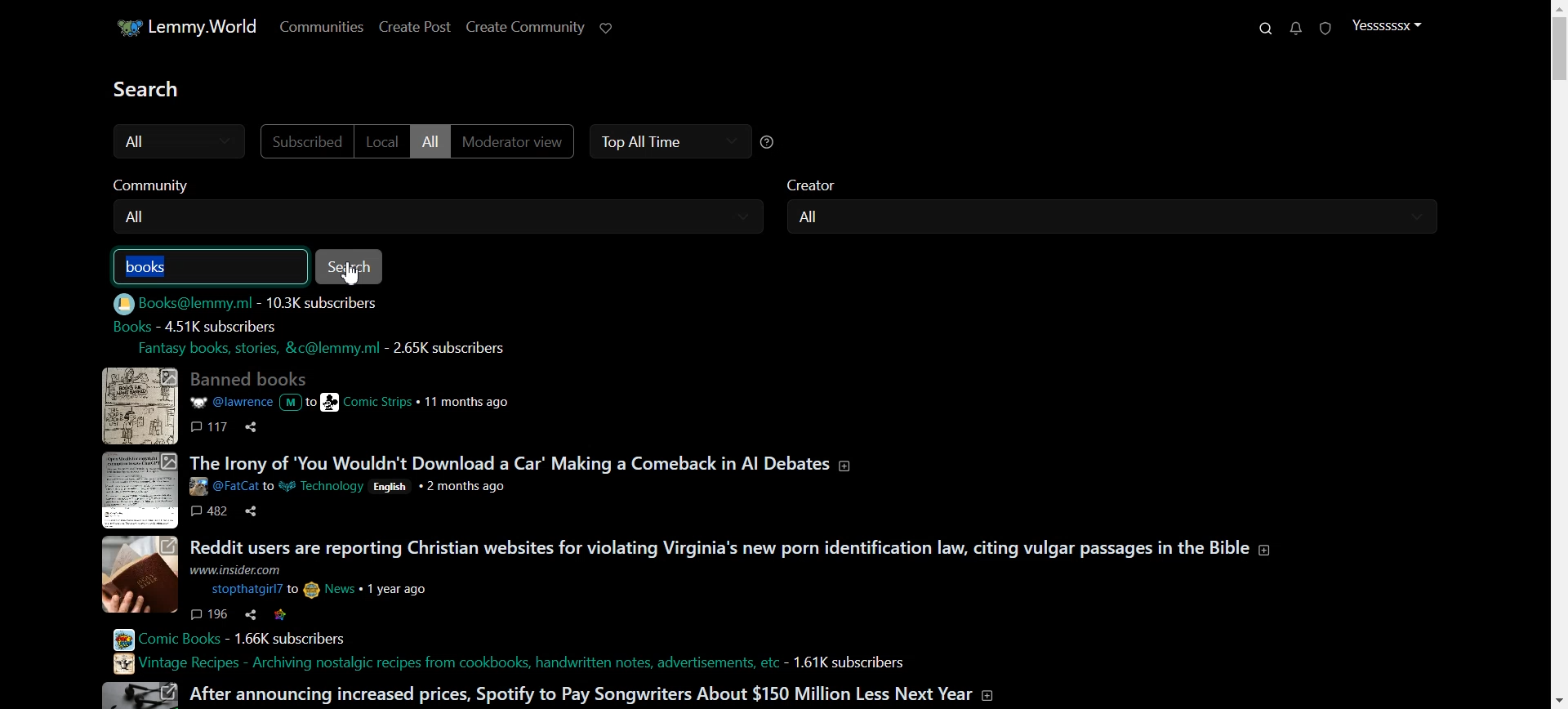 Image resolution: width=1568 pixels, height=709 pixels. What do you see at coordinates (448, 216) in the screenshot?
I see `Community` at bounding box center [448, 216].